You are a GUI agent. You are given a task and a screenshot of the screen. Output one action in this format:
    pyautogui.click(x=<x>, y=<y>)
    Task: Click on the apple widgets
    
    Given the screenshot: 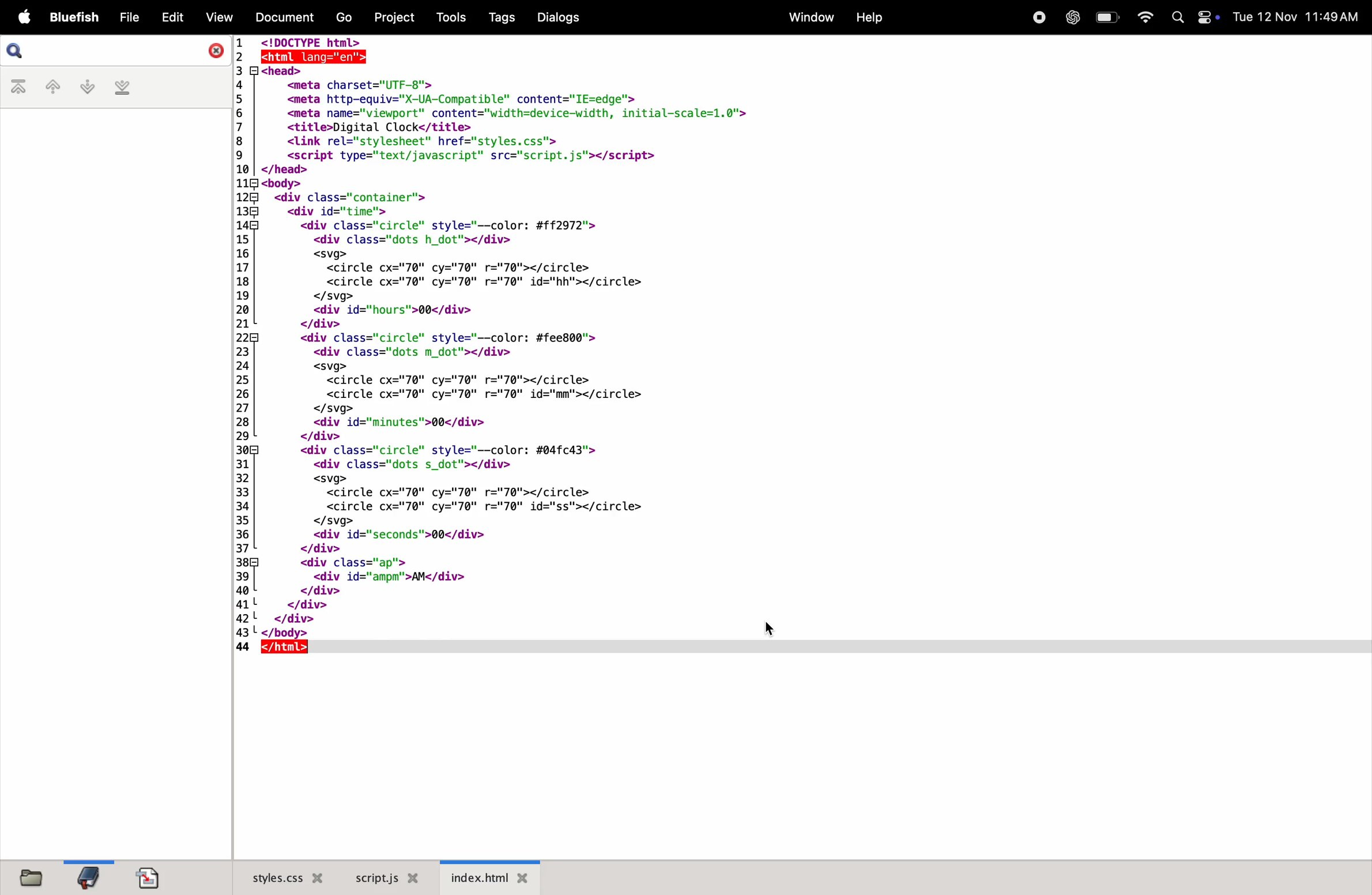 What is the action you would take?
    pyautogui.click(x=1197, y=17)
    